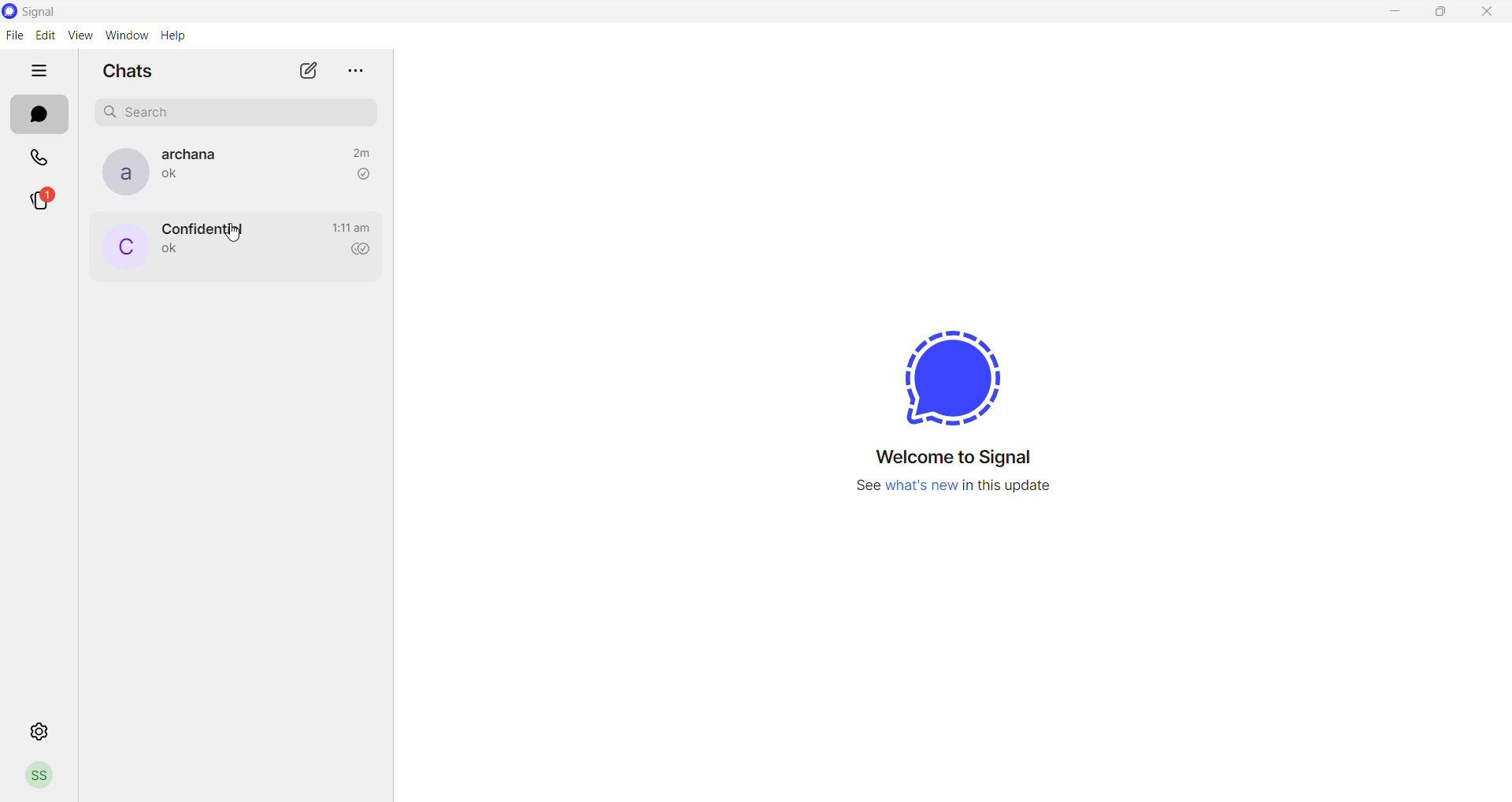 This screenshot has height=802, width=1512. Describe the element at coordinates (54, 11) in the screenshot. I see `application name and logo` at that location.